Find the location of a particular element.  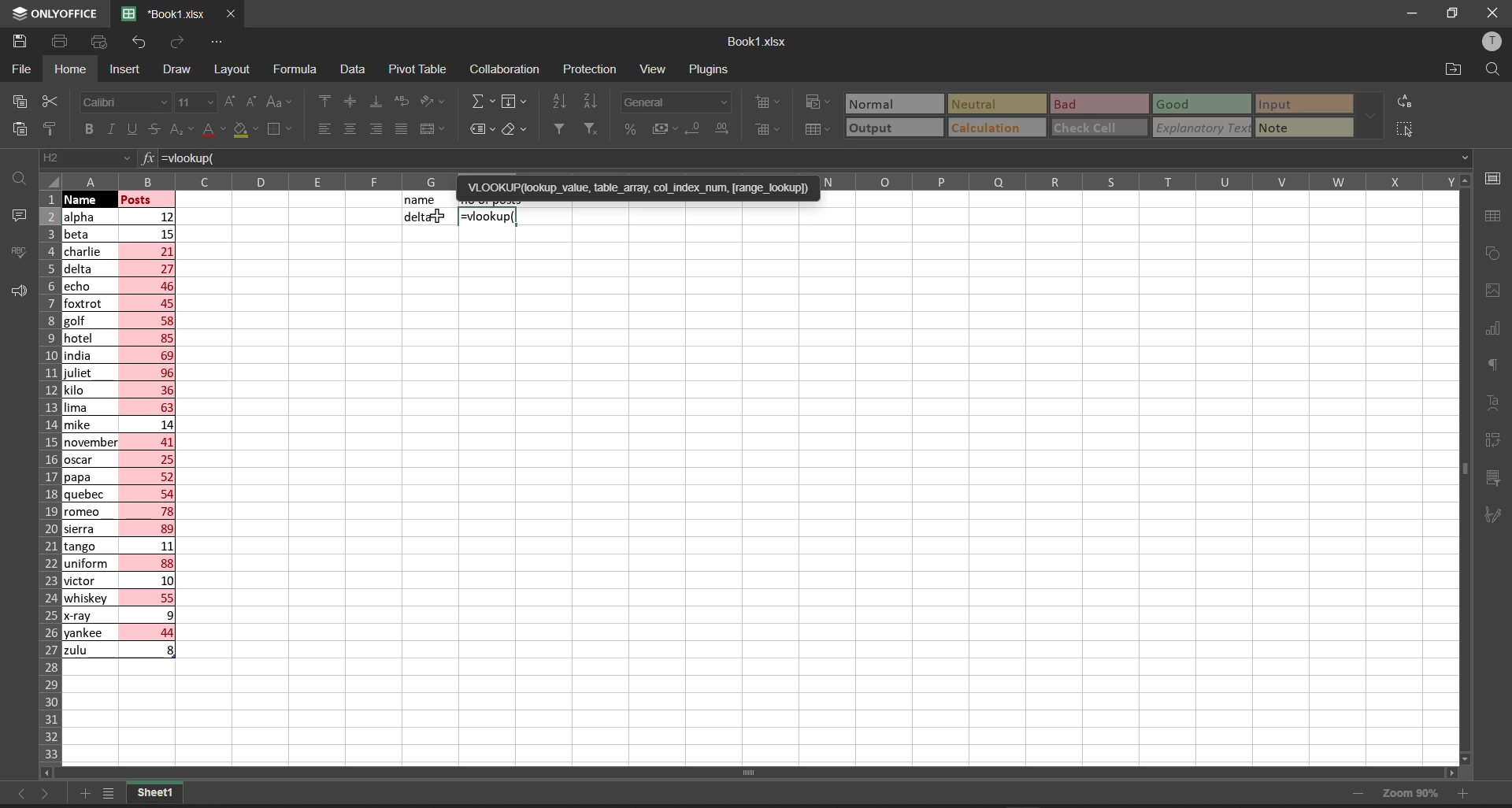

spell checking is located at coordinates (15, 252).